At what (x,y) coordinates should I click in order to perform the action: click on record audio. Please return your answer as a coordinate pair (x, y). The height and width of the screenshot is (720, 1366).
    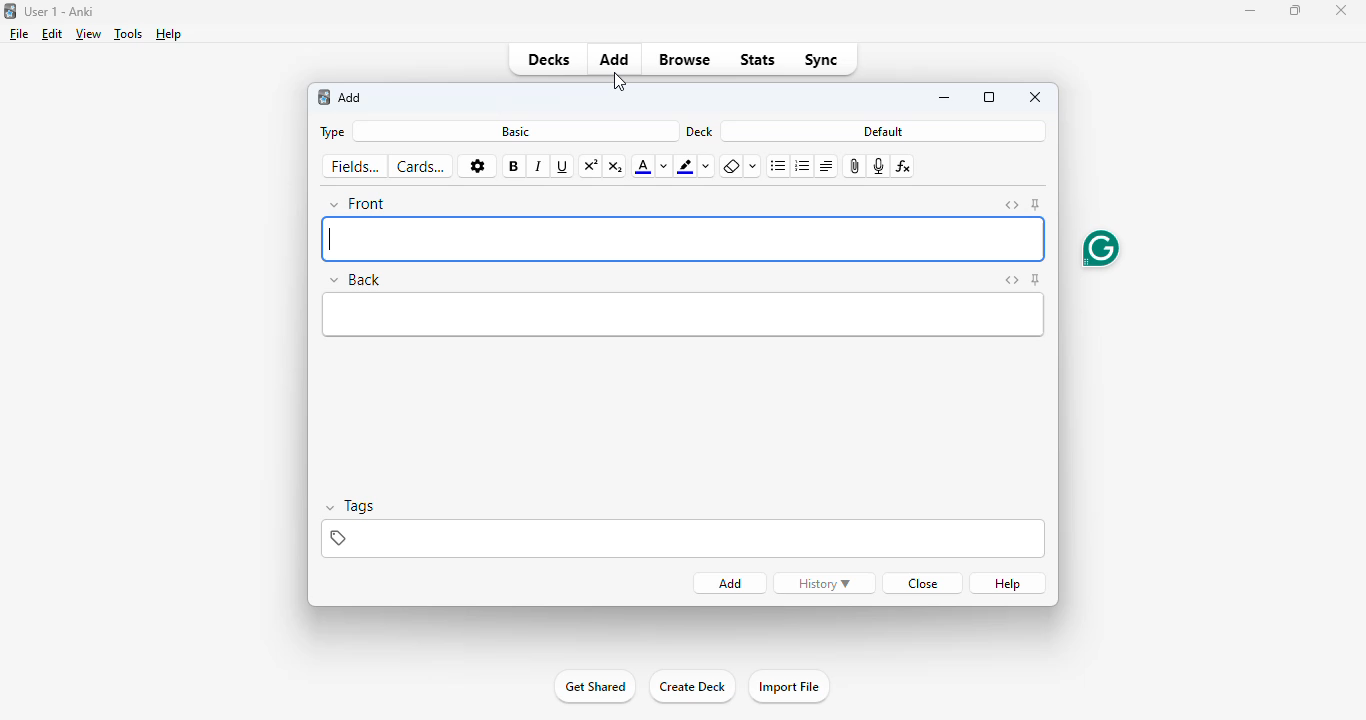
    Looking at the image, I should click on (879, 166).